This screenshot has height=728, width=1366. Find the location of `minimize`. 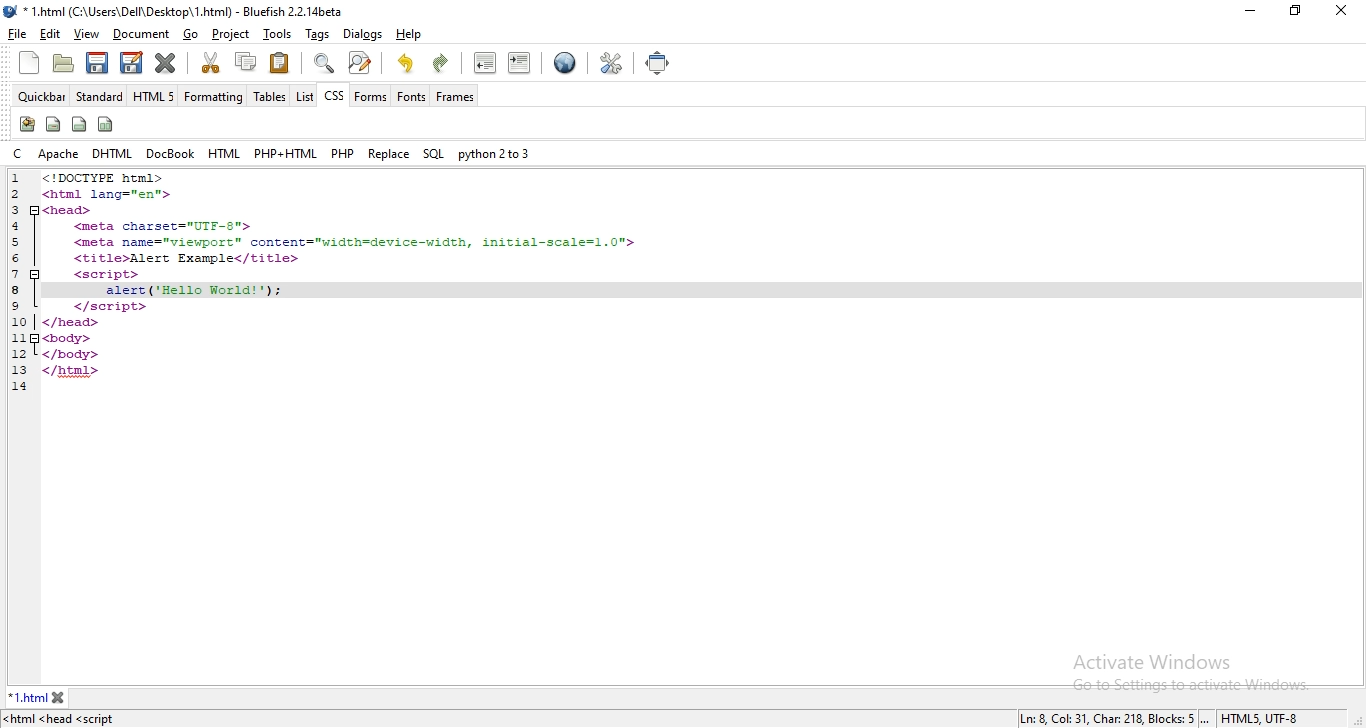

minimize is located at coordinates (1249, 11).